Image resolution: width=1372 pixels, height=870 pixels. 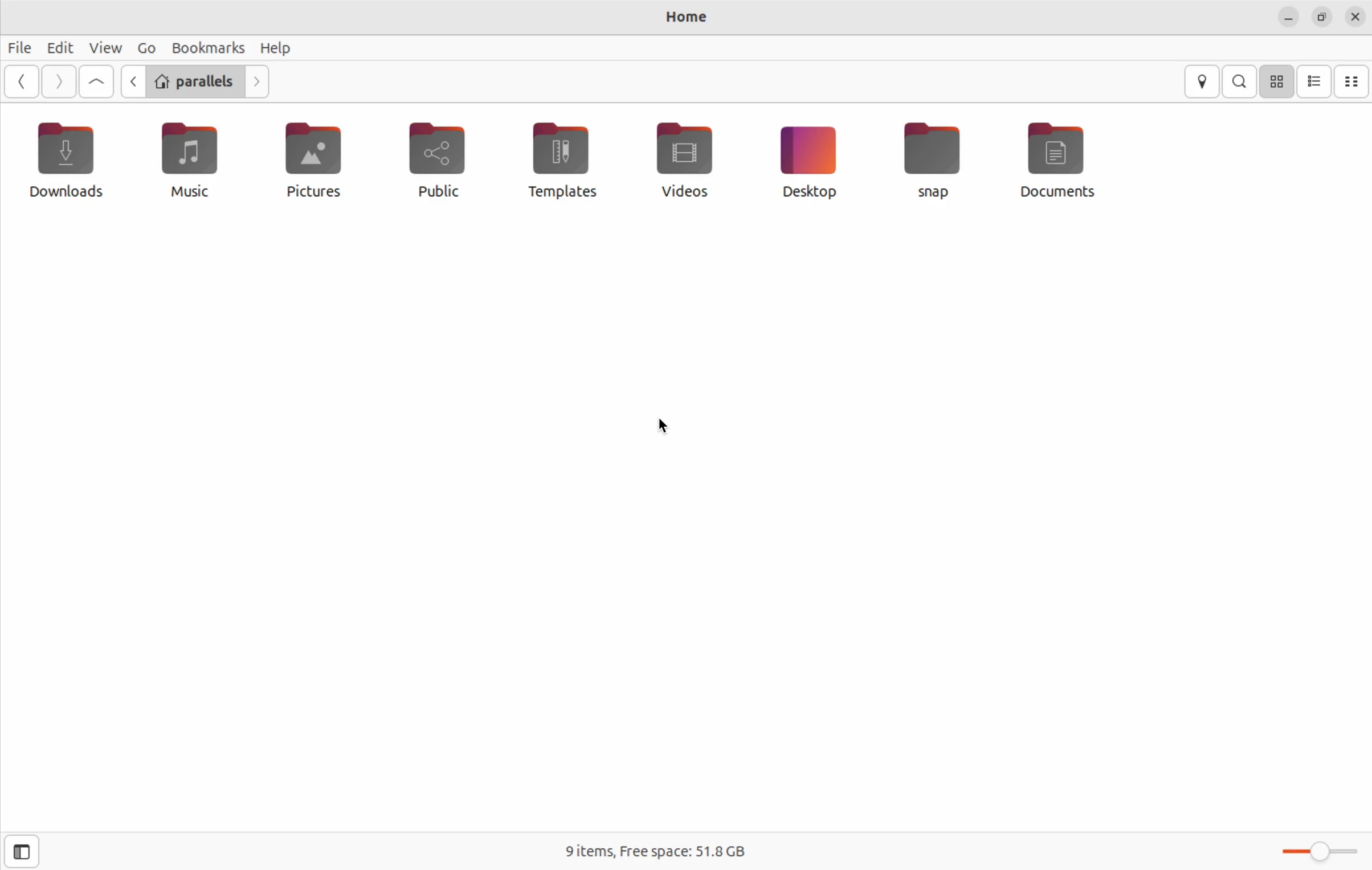 What do you see at coordinates (687, 18) in the screenshot?
I see `Home` at bounding box center [687, 18].